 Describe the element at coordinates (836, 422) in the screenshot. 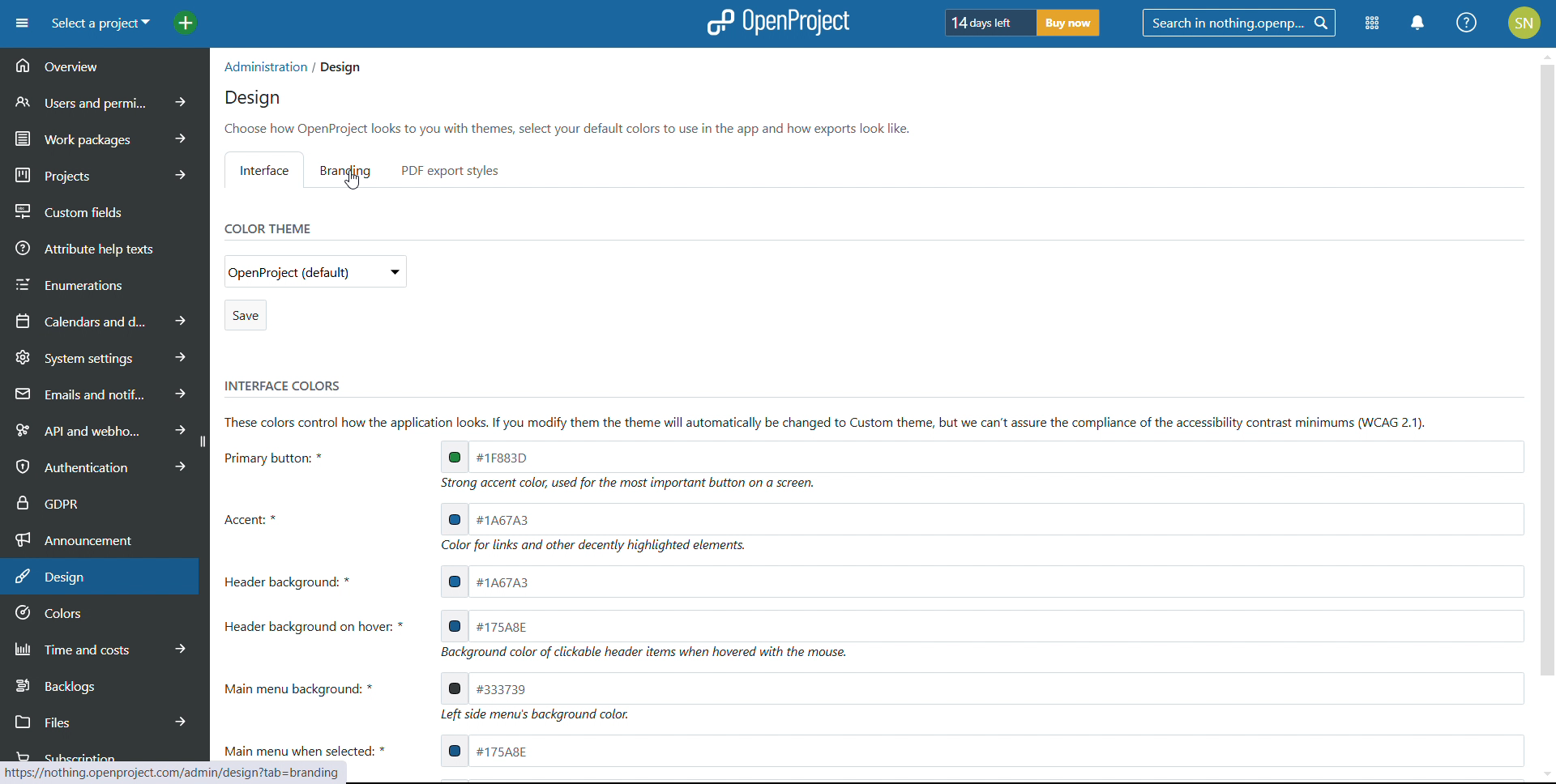

I see `These colors control how the application looks. If you modify them the theme will automatically be changed to Custom theme, but we can't assure the compliance of the accessibility contrast minimums (WCAG 2.1).` at that location.